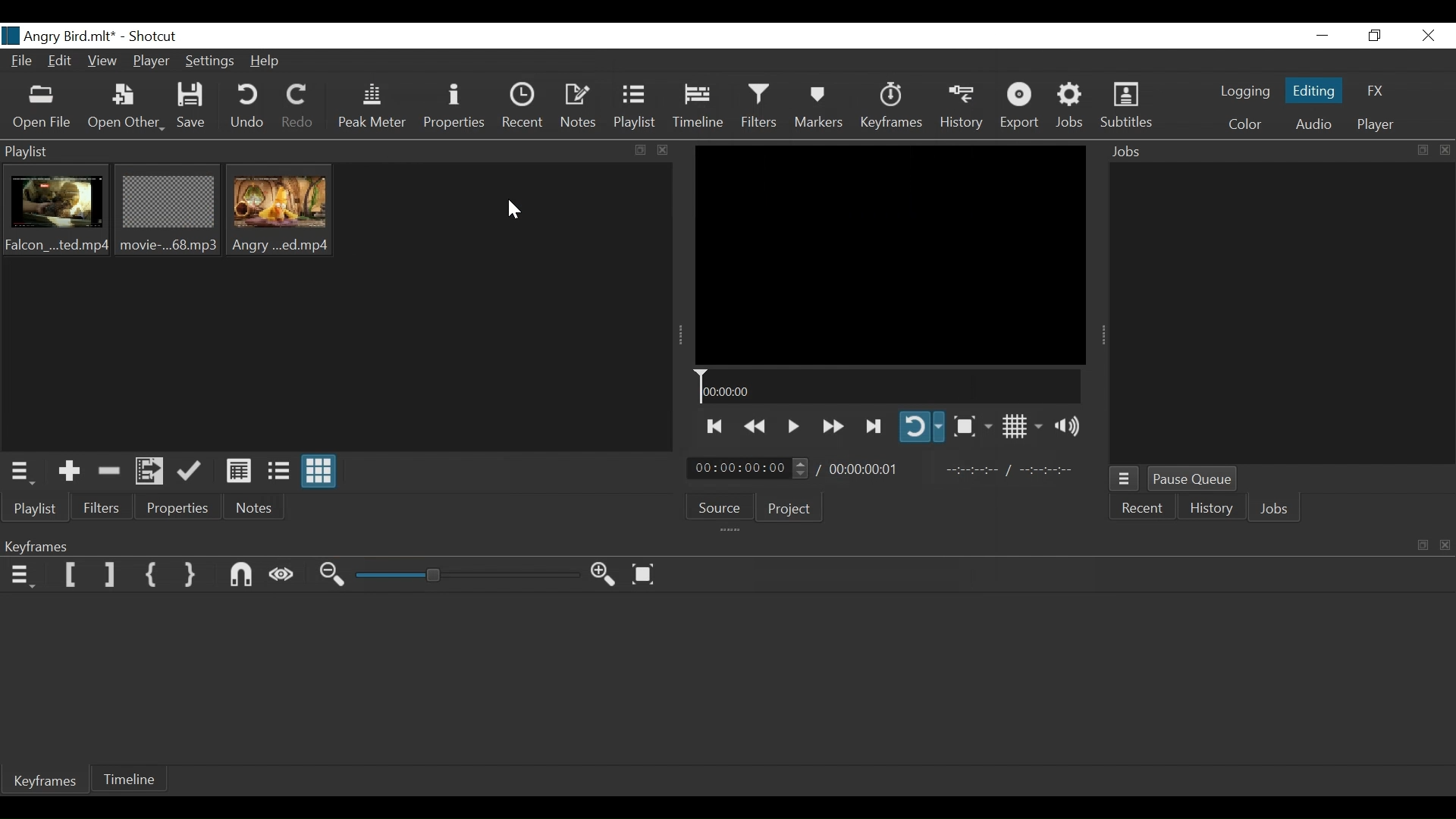  I want to click on View, so click(104, 64).